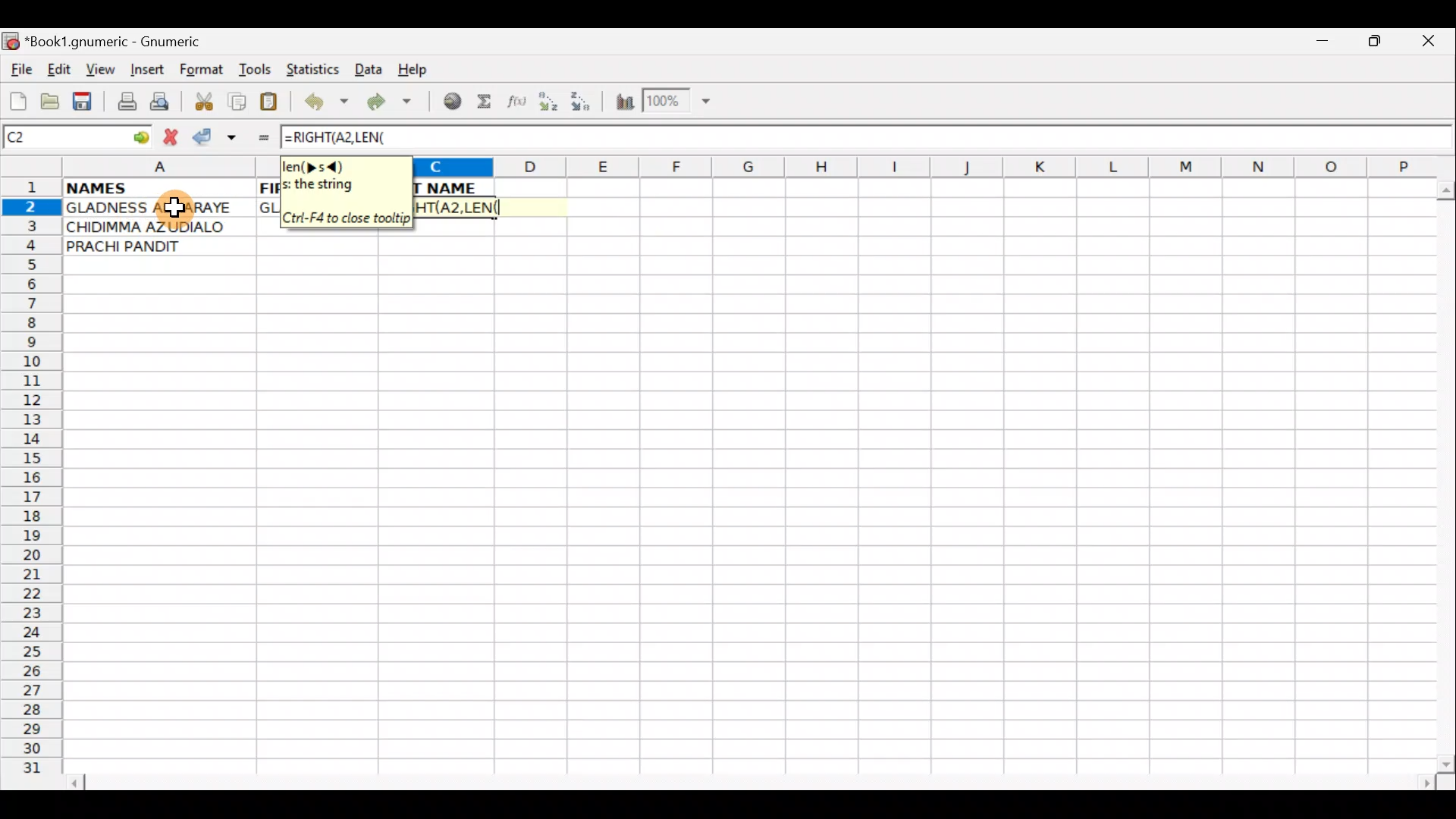 Image resolution: width=1456 pixels, height=819 pixels. I want to click on Tools, so click(256, 70).